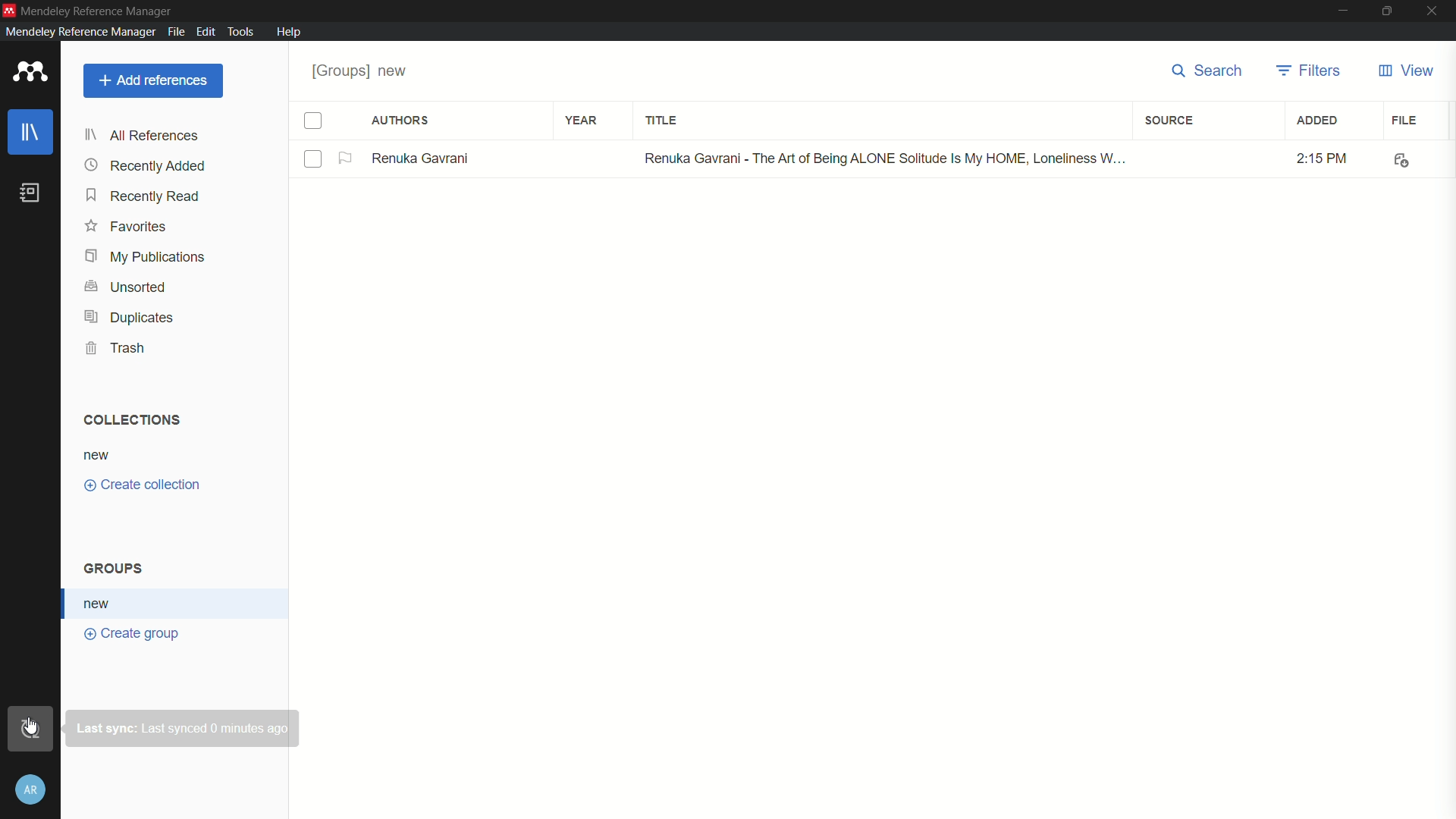 This screenshot has height=819, width=1456. What do you see at coordinates (422, 157) in the screenshot?
I see `Renuka Gavrani` at bounding box center [422, 157].